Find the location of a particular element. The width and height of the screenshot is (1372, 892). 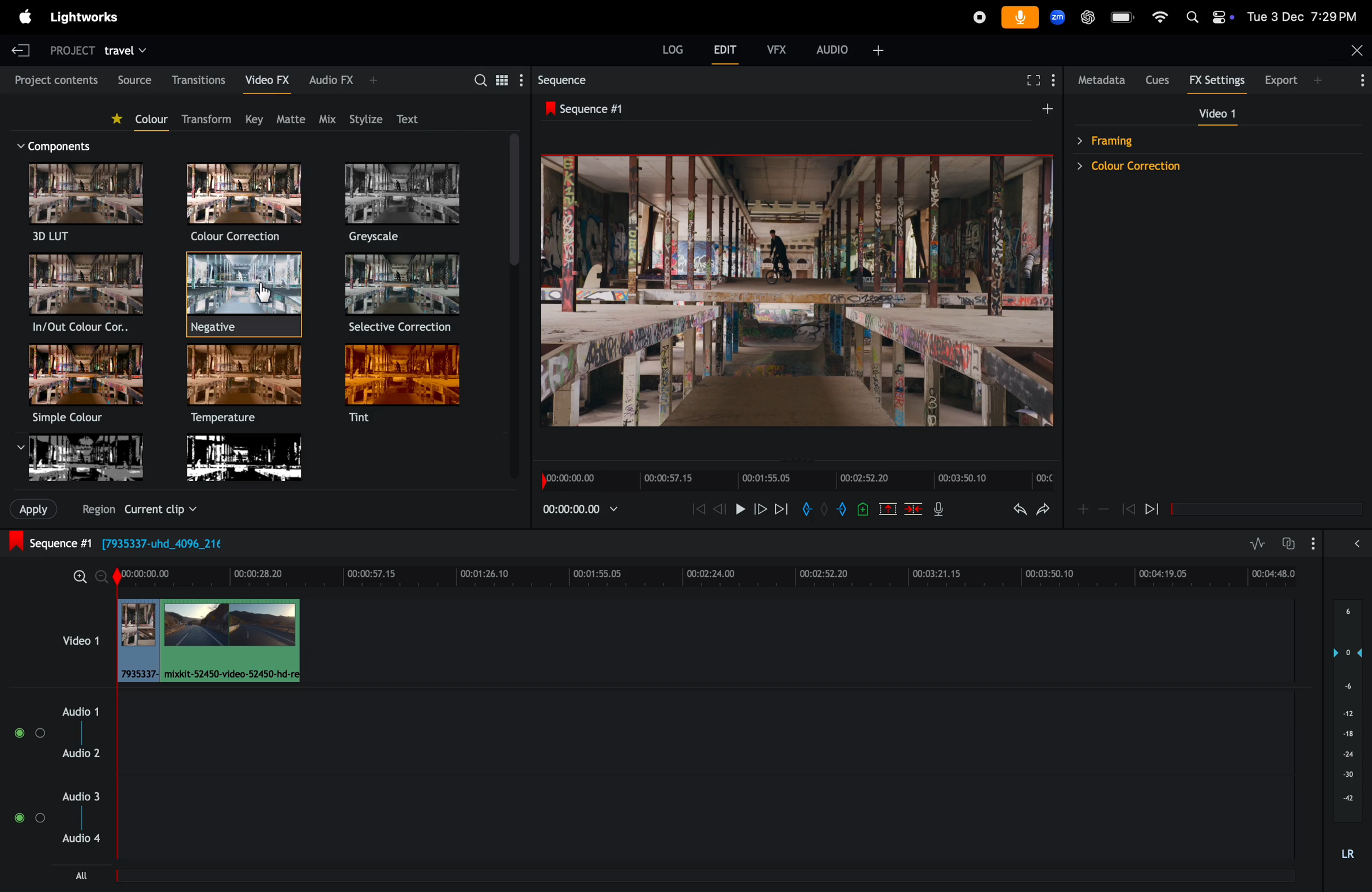

zoom in zoom out is located at coordinates (1091, 510).